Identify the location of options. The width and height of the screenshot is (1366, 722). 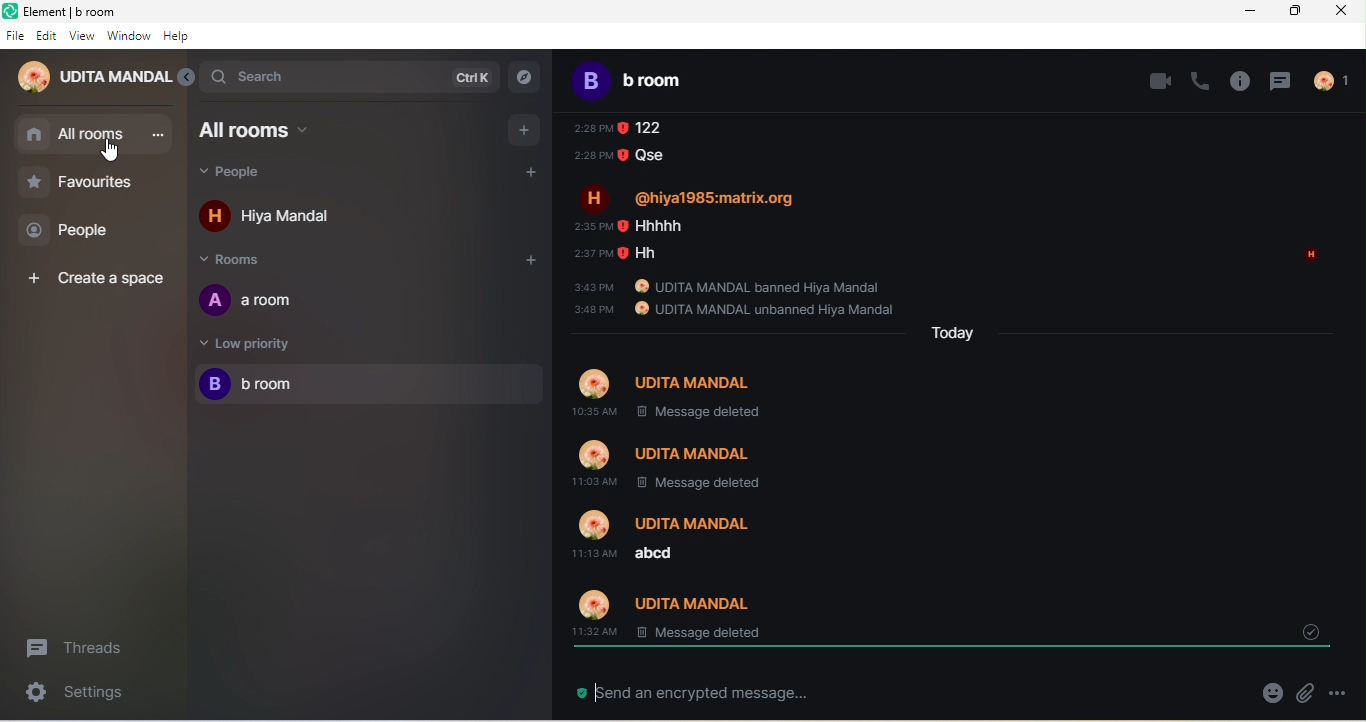
(1346, 693).